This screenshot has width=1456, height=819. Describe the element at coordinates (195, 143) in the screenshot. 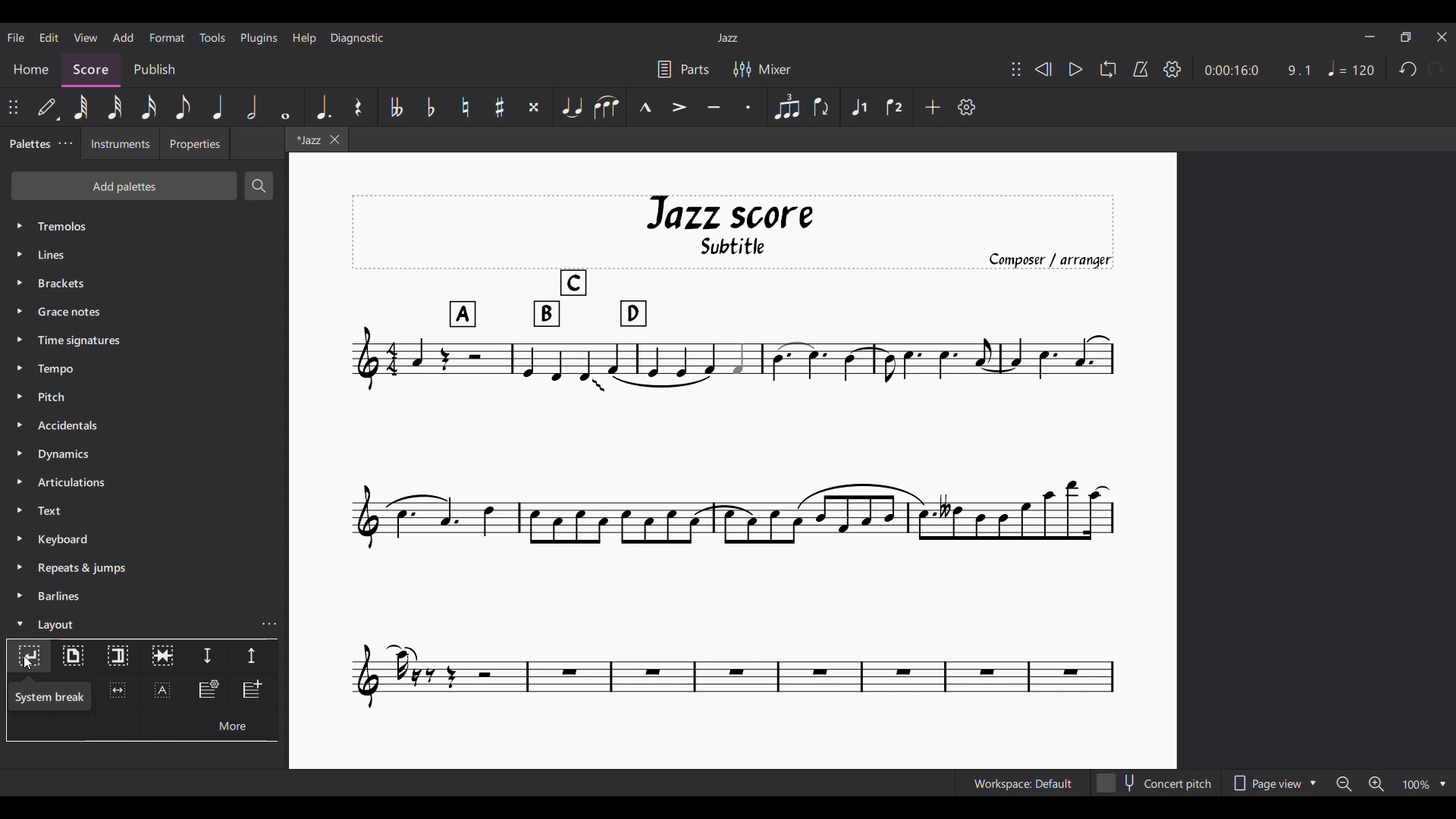

I see `Properties` at that location.